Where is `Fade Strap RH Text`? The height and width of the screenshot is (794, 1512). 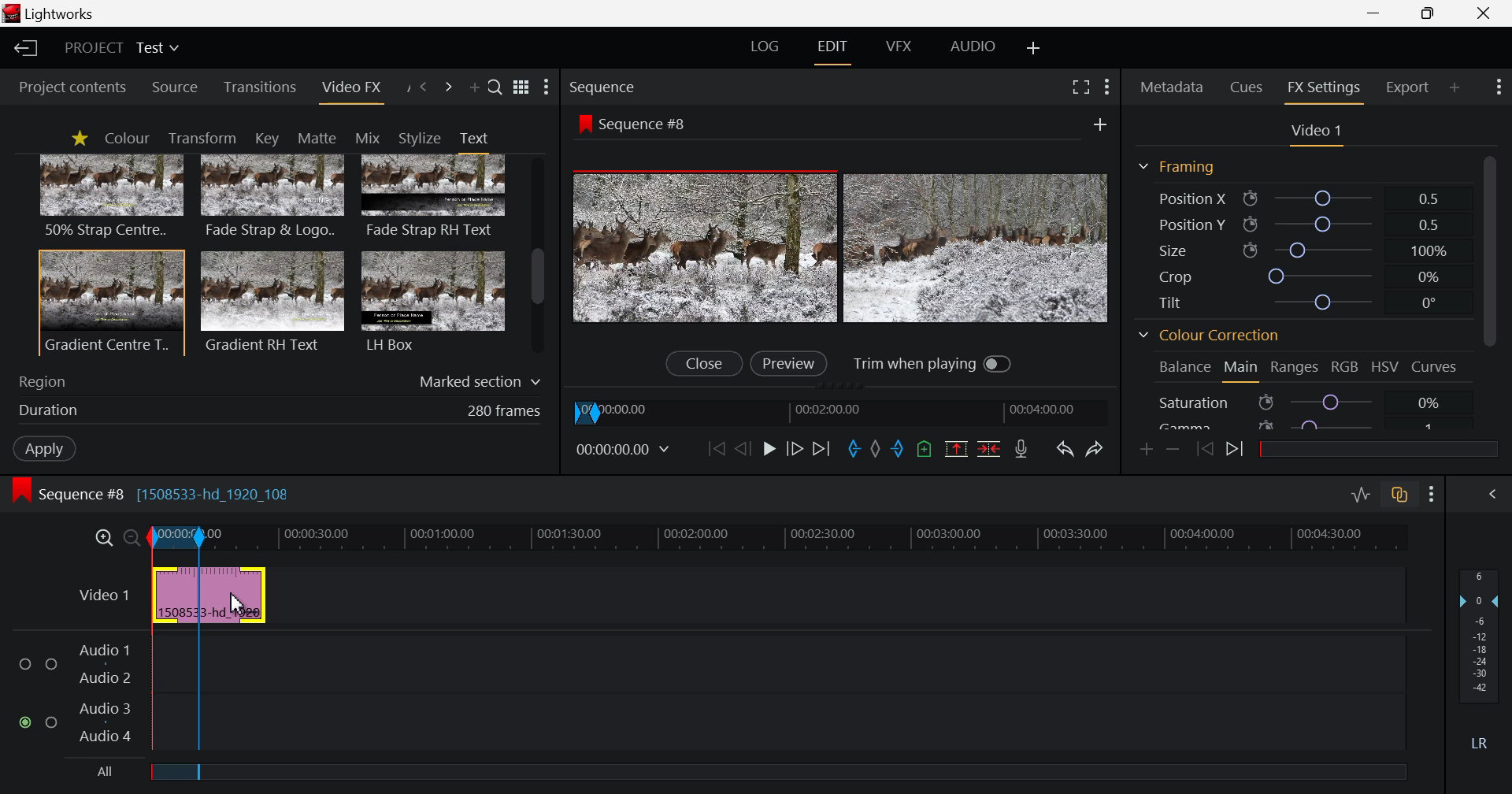
Fade Strap RH Text is located at coordinates (435, 197).